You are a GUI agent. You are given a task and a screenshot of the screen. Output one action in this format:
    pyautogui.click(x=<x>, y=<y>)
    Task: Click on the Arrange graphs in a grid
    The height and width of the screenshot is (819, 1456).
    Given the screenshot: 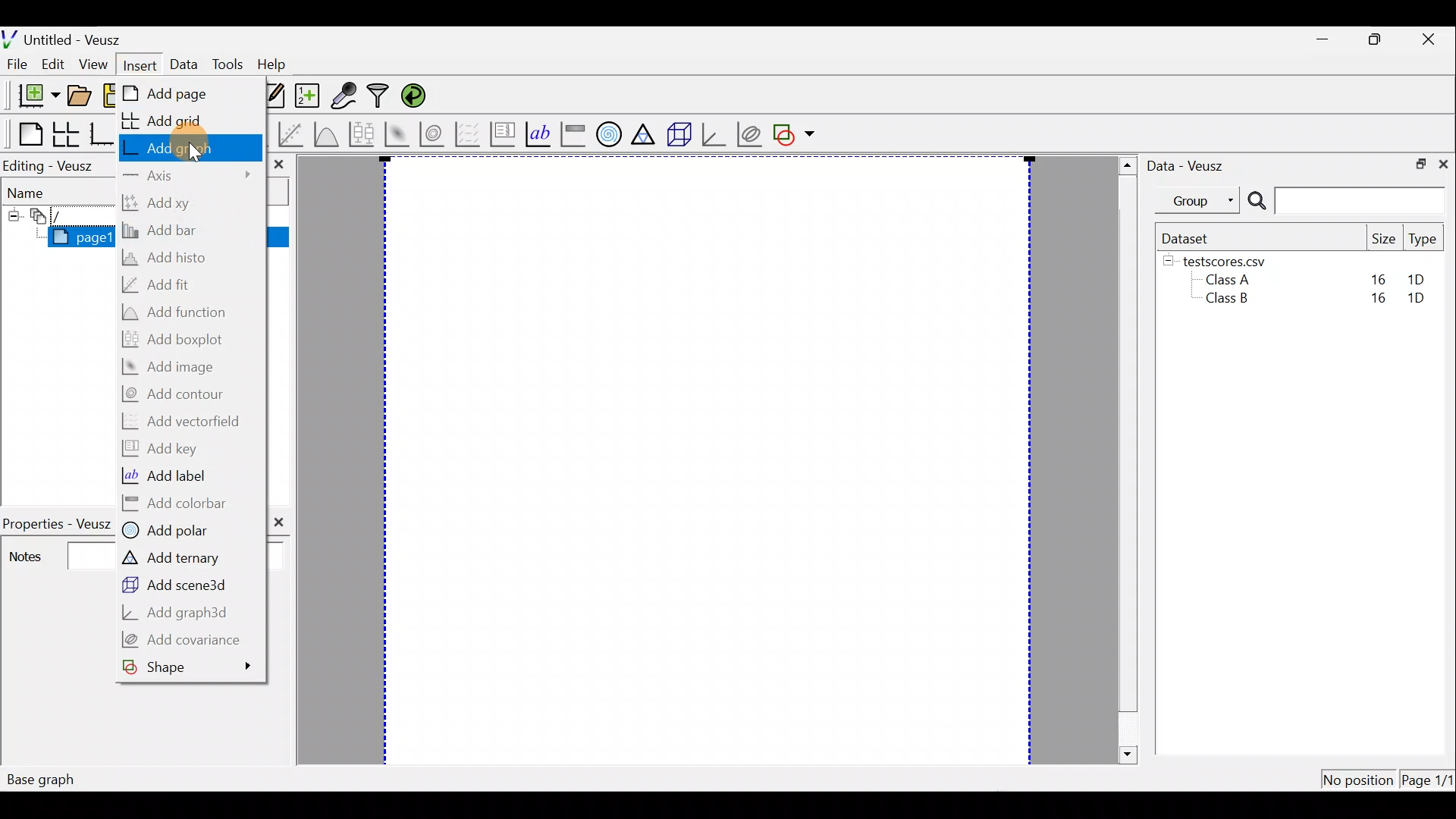 What is the action you would take?
    pyautogui.click(x=67, y=134)
    